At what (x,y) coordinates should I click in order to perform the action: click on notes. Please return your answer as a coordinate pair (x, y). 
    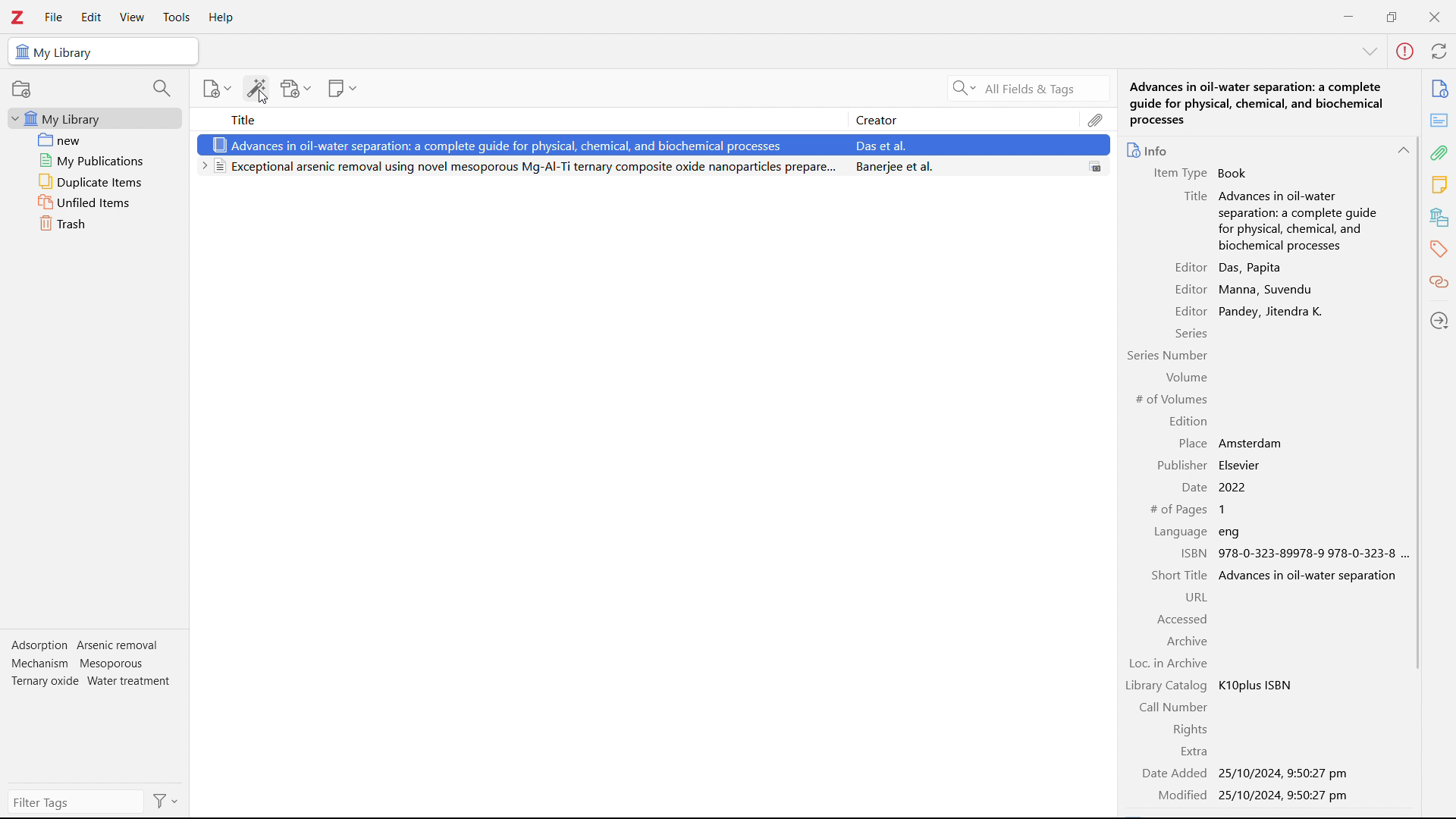
    Looking at the image, I should click on (1440, 185).